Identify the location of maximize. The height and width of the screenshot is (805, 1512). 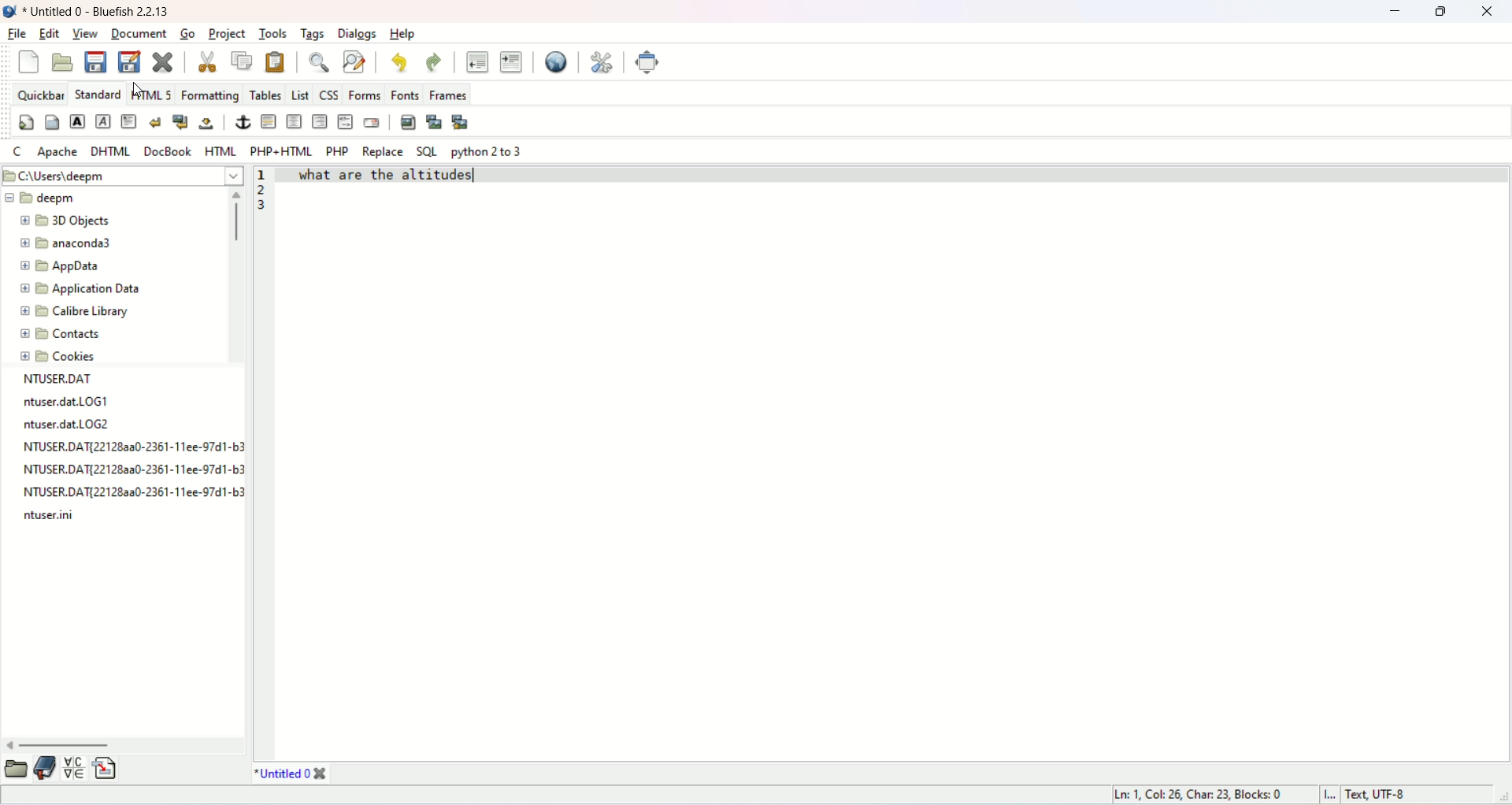
(1440, 13).